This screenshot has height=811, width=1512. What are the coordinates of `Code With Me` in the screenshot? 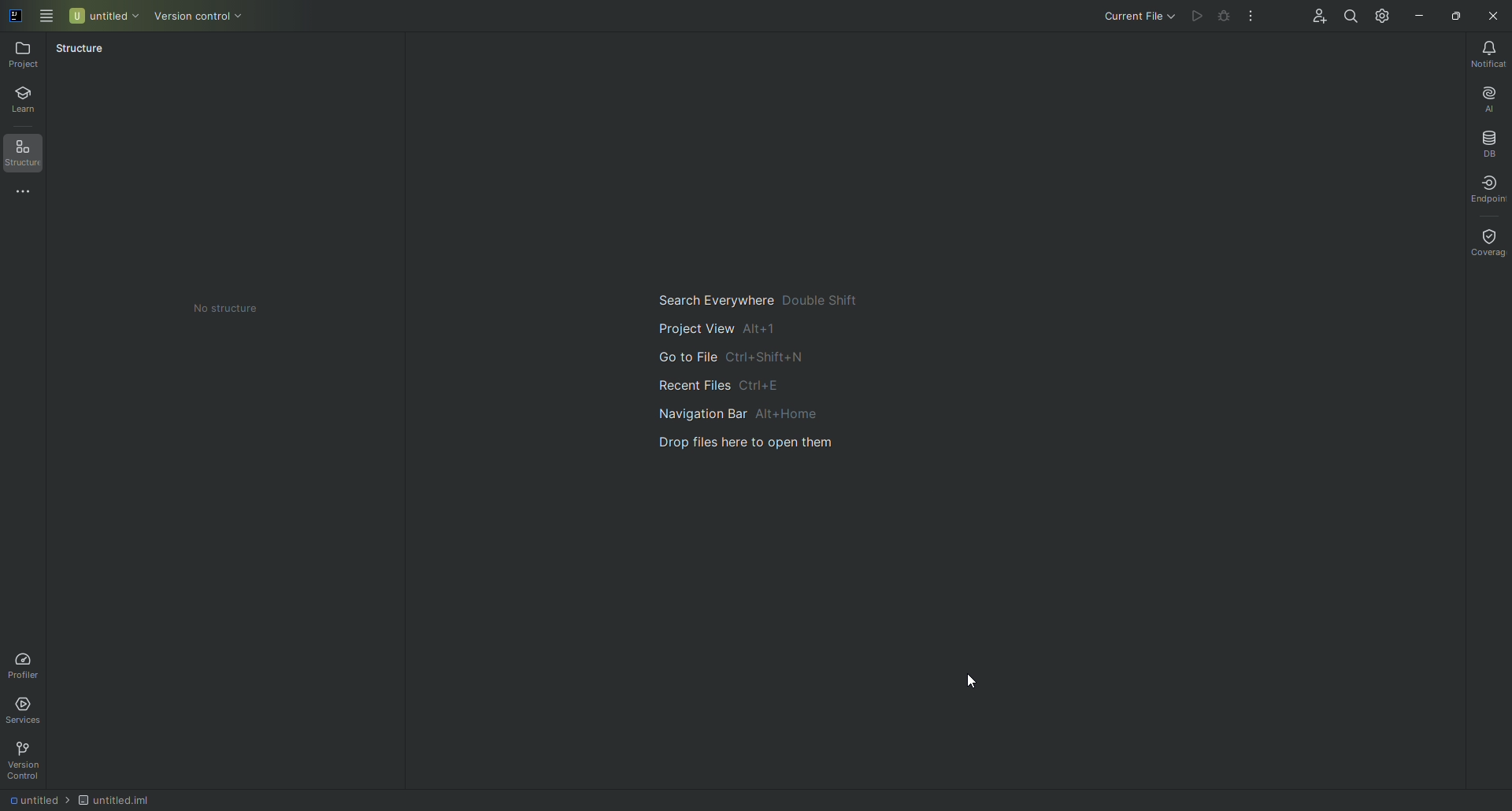 It's located at (1318, 17).